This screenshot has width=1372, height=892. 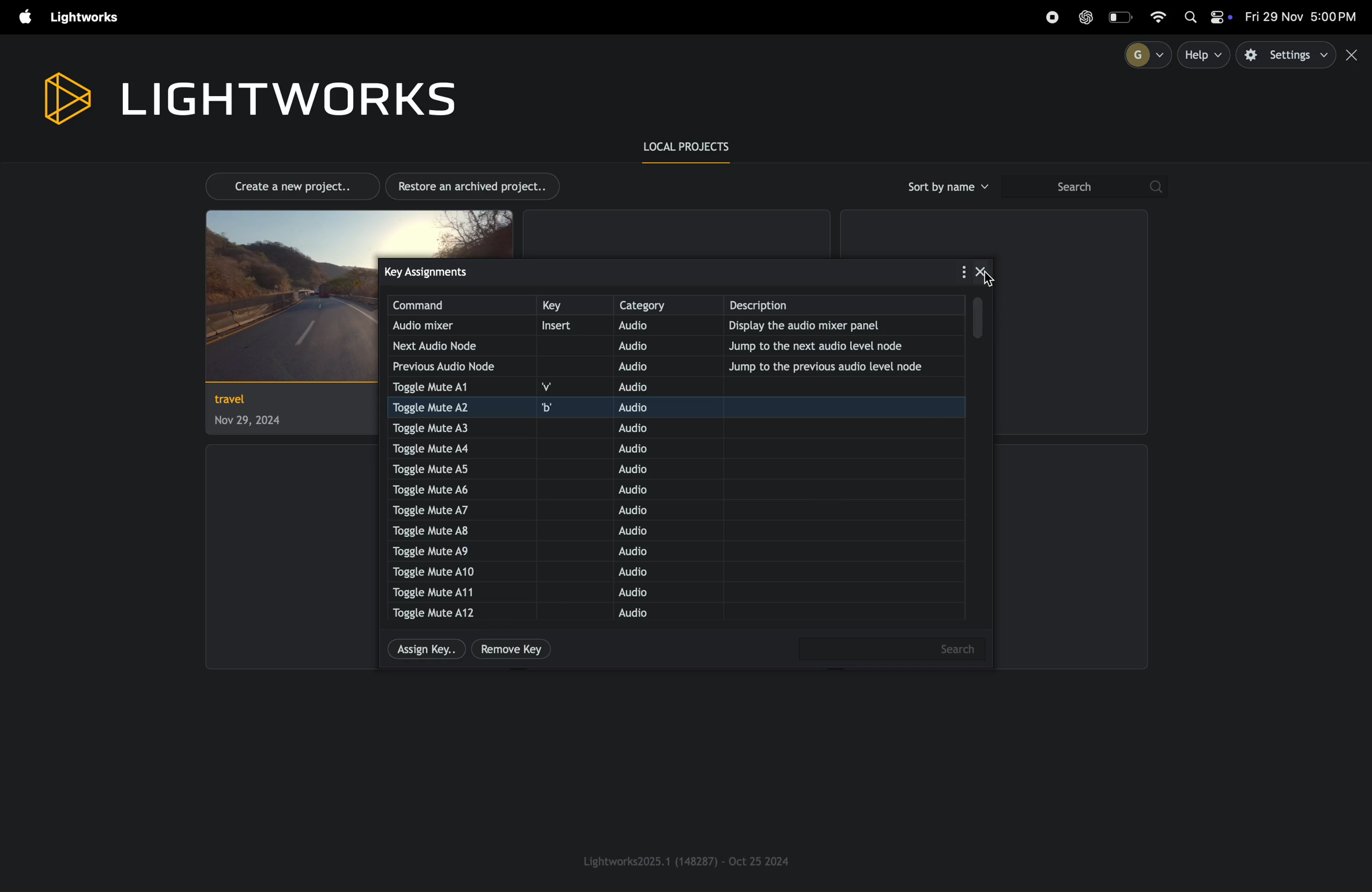 What do you see at coordinates (440, 613) in the screenshot?
I see `toggle mute A12` at bounding box center [440, 613].